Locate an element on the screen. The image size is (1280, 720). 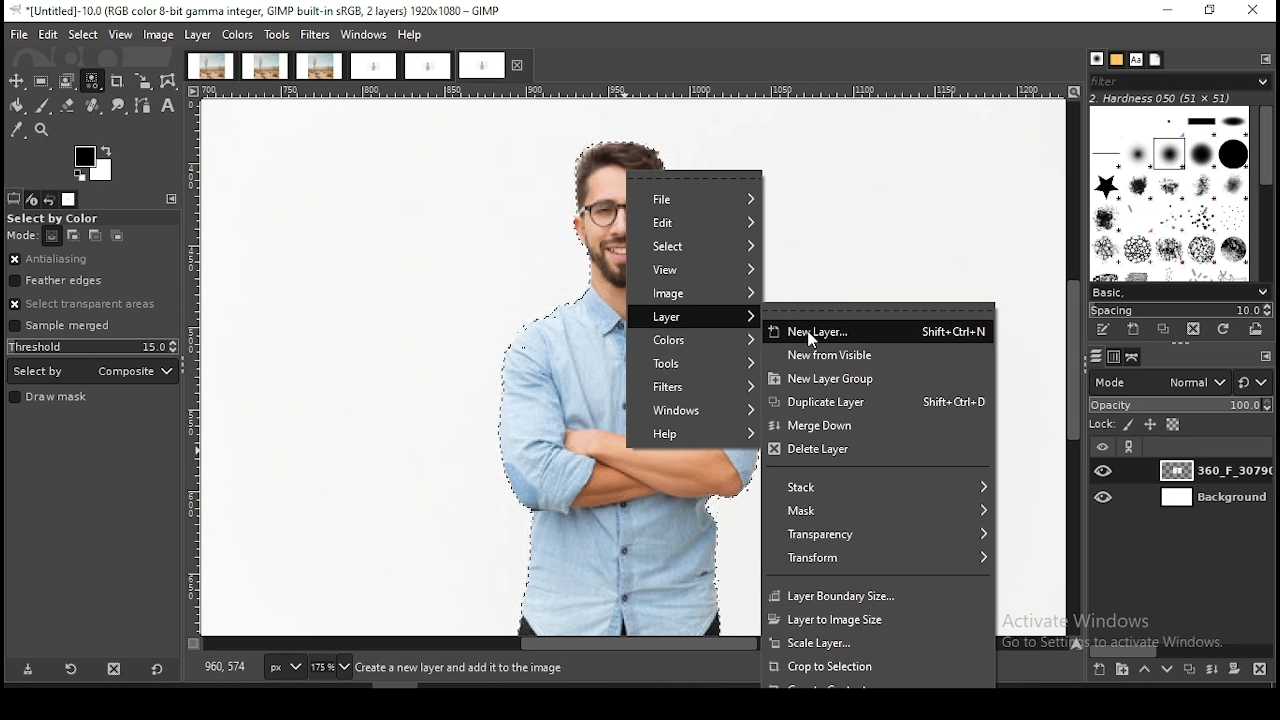
view is located at coordinates (122, 34).